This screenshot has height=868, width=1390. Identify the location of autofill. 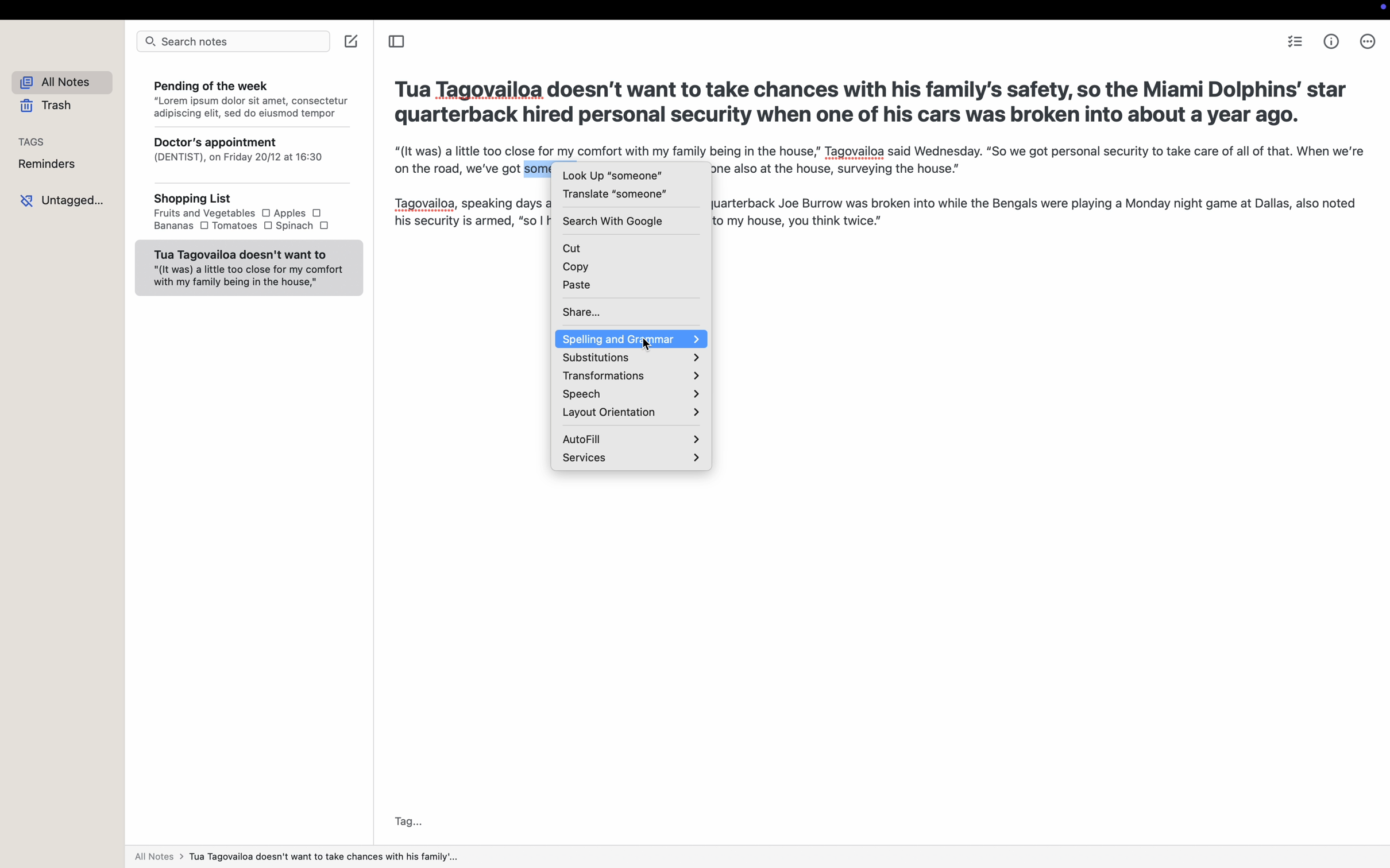
(631, 437).